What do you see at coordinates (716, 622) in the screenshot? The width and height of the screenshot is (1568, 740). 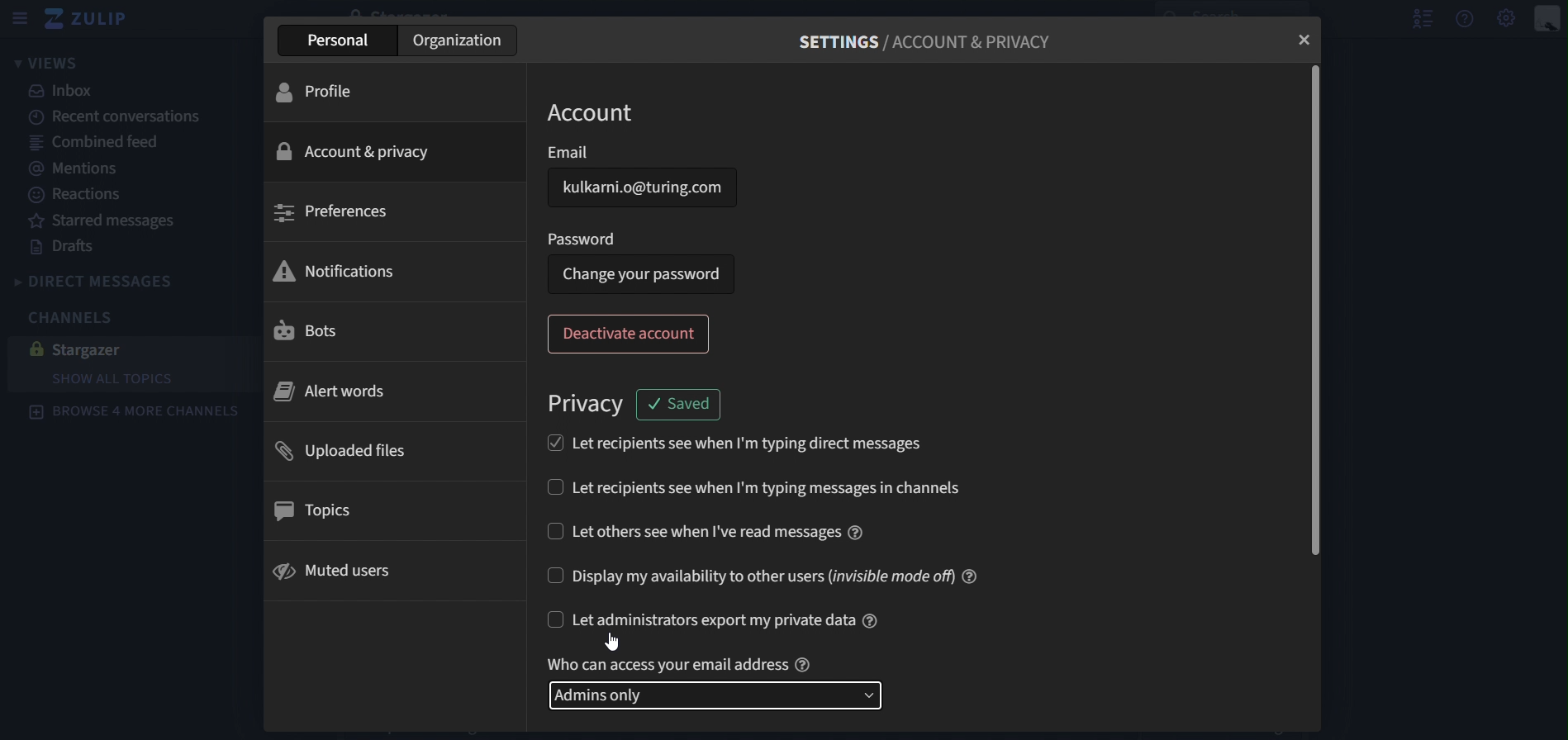 I see `let administration export my private data` at bounding box center [716, 622].